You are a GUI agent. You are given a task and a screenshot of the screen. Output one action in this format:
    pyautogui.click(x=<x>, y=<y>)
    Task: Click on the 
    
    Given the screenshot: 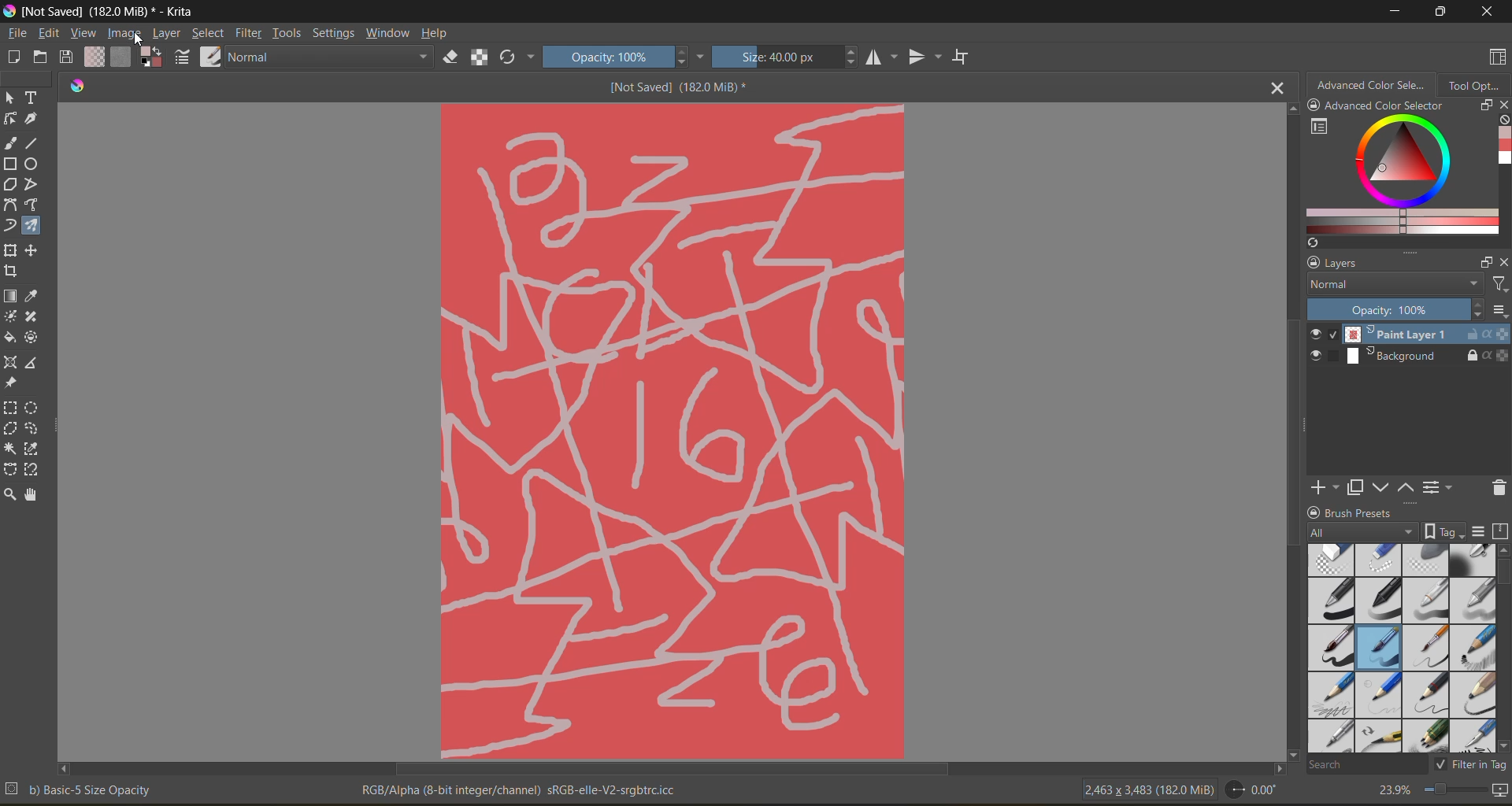 What is the action you would take?
    pyautogui.click(x=673, y=429)
    